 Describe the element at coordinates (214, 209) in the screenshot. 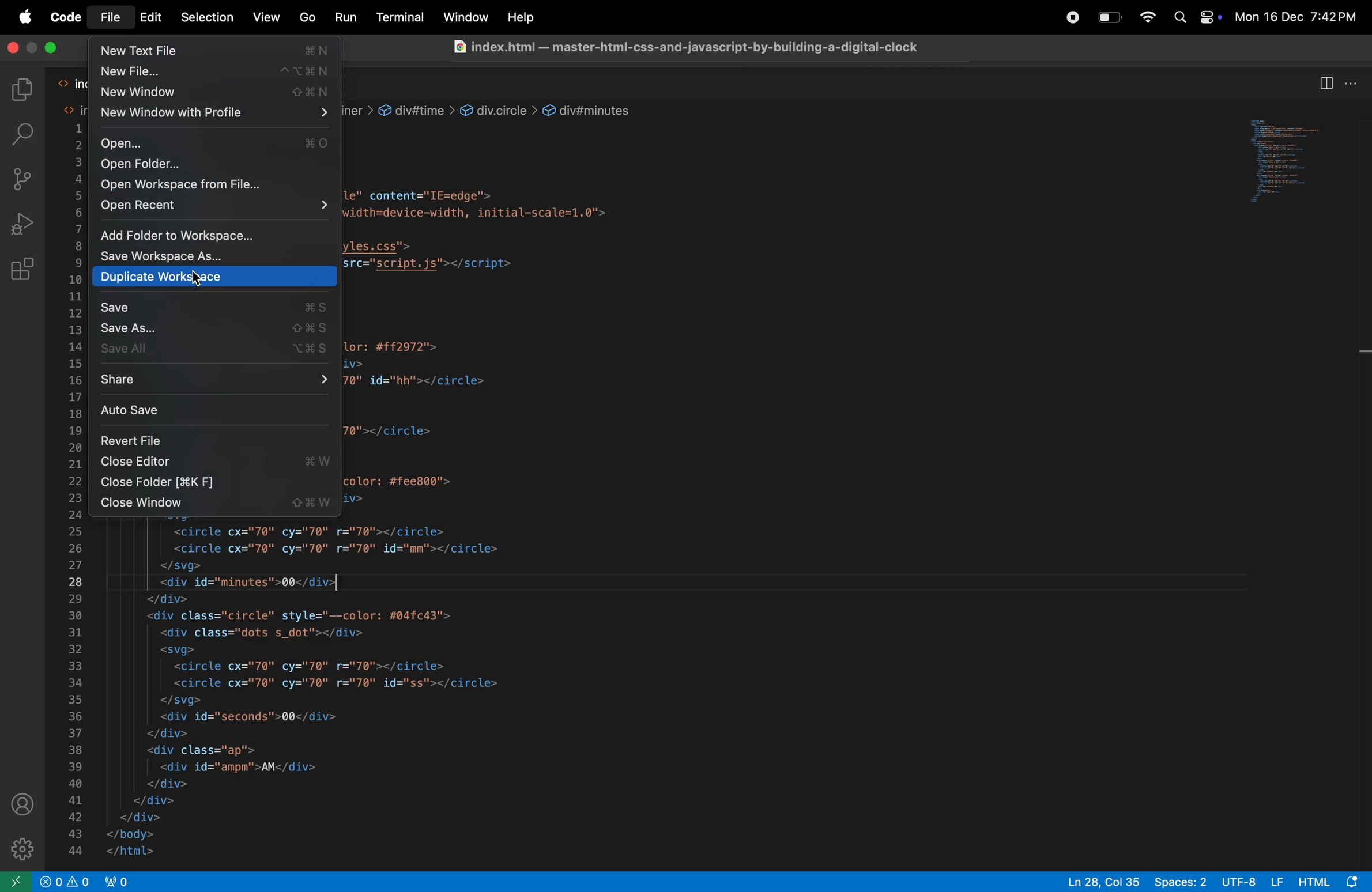

I see `open recent` at that location.